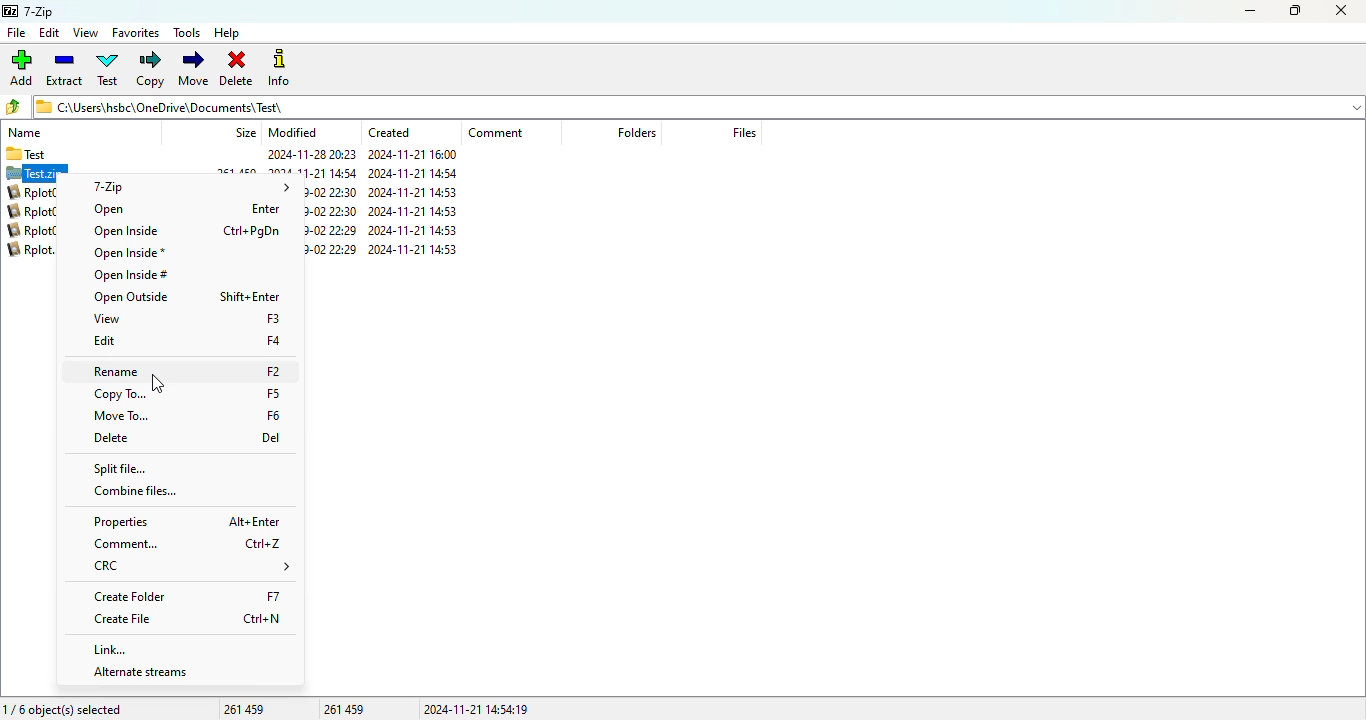  Describe the element at coordinates (237, 68) in the screenshot. I see `delete` at that location.